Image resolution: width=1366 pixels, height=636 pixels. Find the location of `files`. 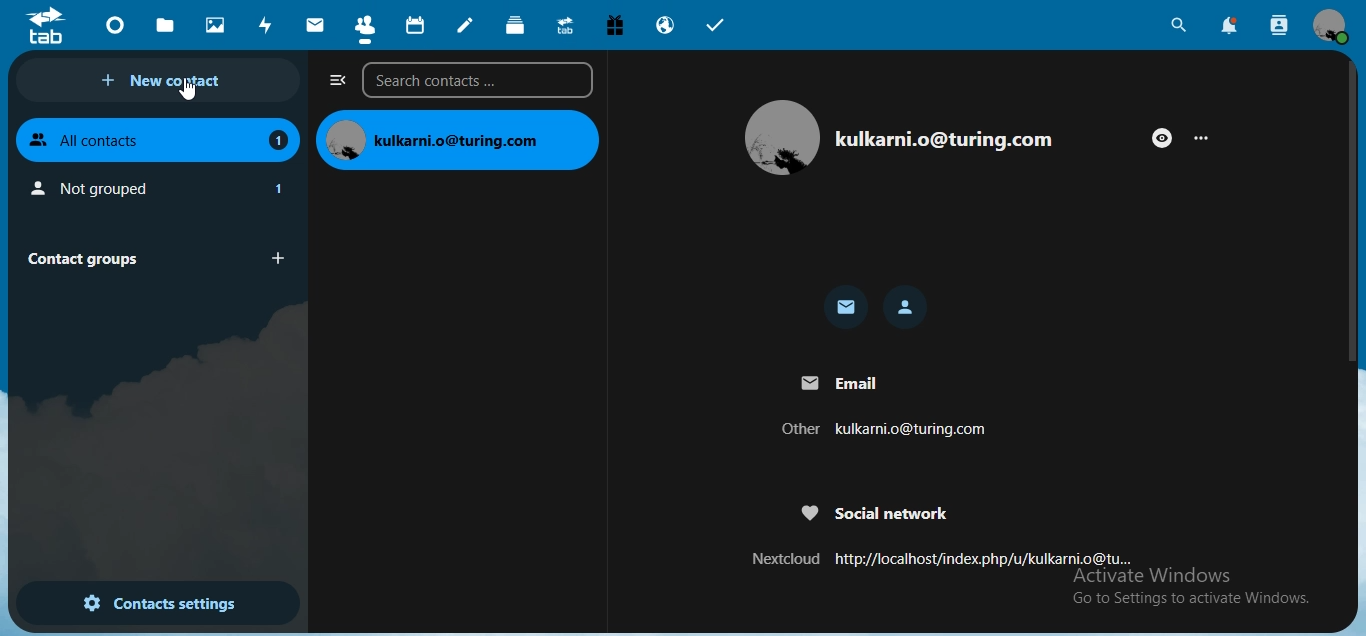

files is located at coordinates (168, 24).